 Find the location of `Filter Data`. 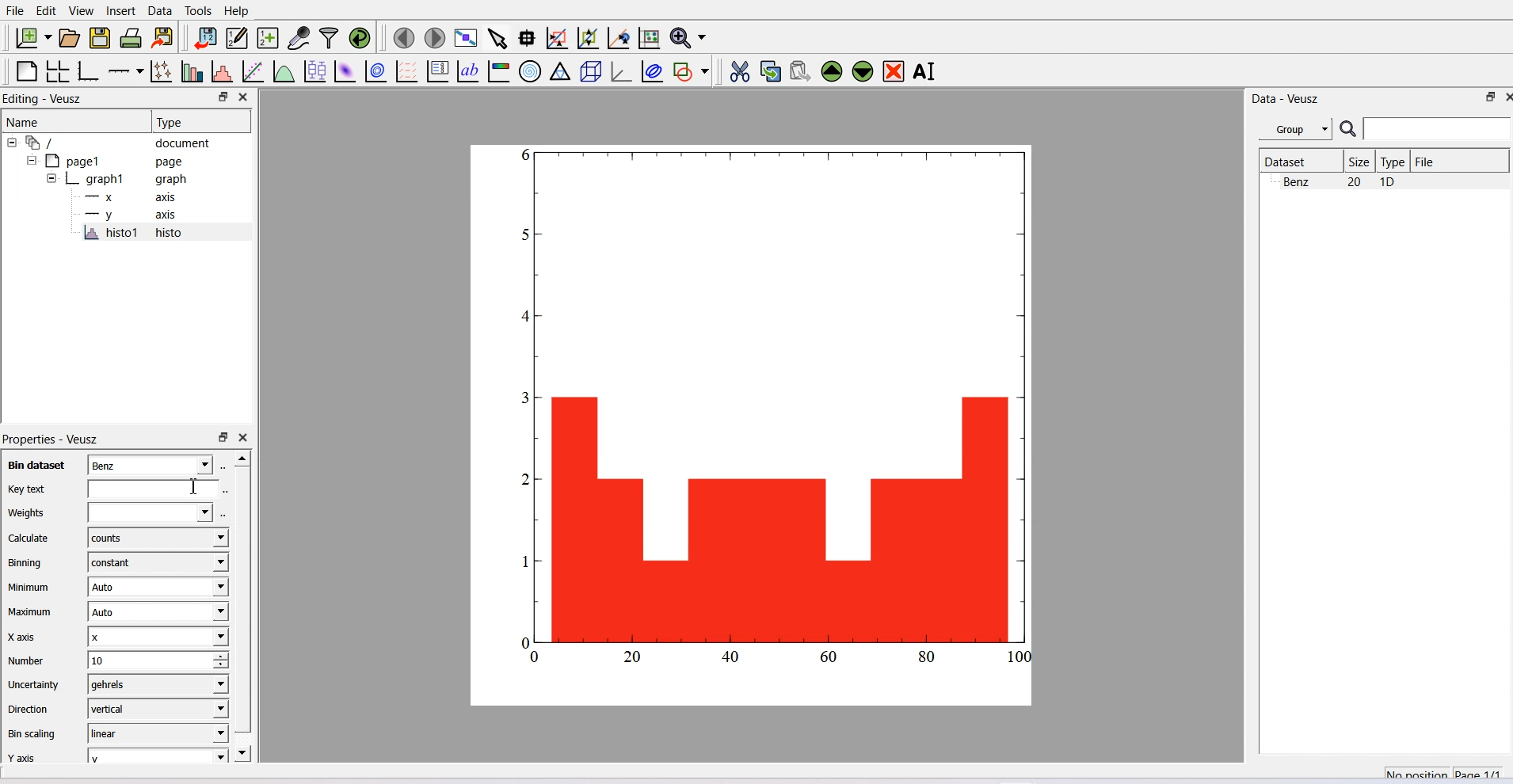

Filter Data is located at coordinates (330, 37).